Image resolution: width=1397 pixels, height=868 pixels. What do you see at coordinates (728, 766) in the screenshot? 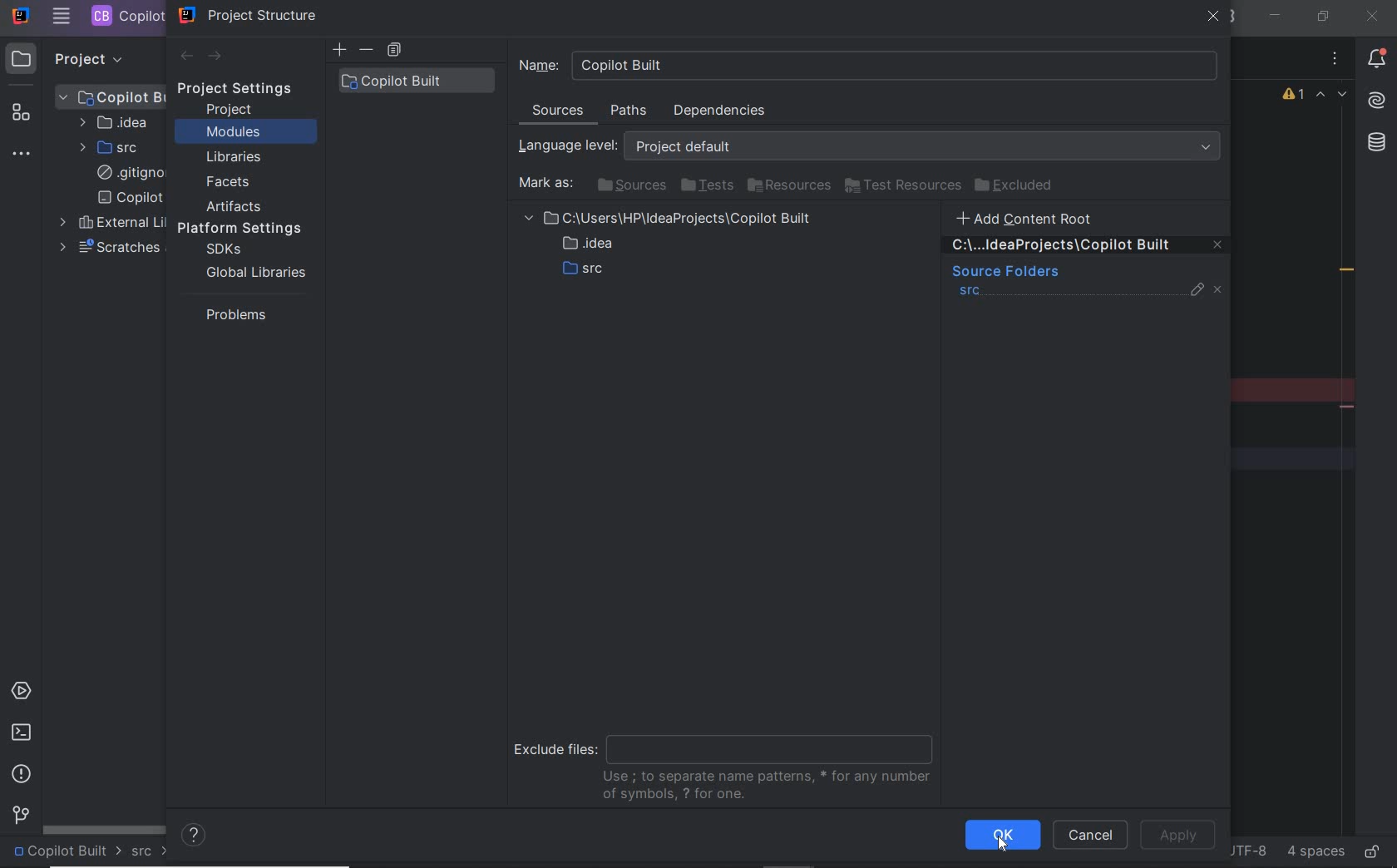
I see `exclude files` at bounding box center [728, 766].